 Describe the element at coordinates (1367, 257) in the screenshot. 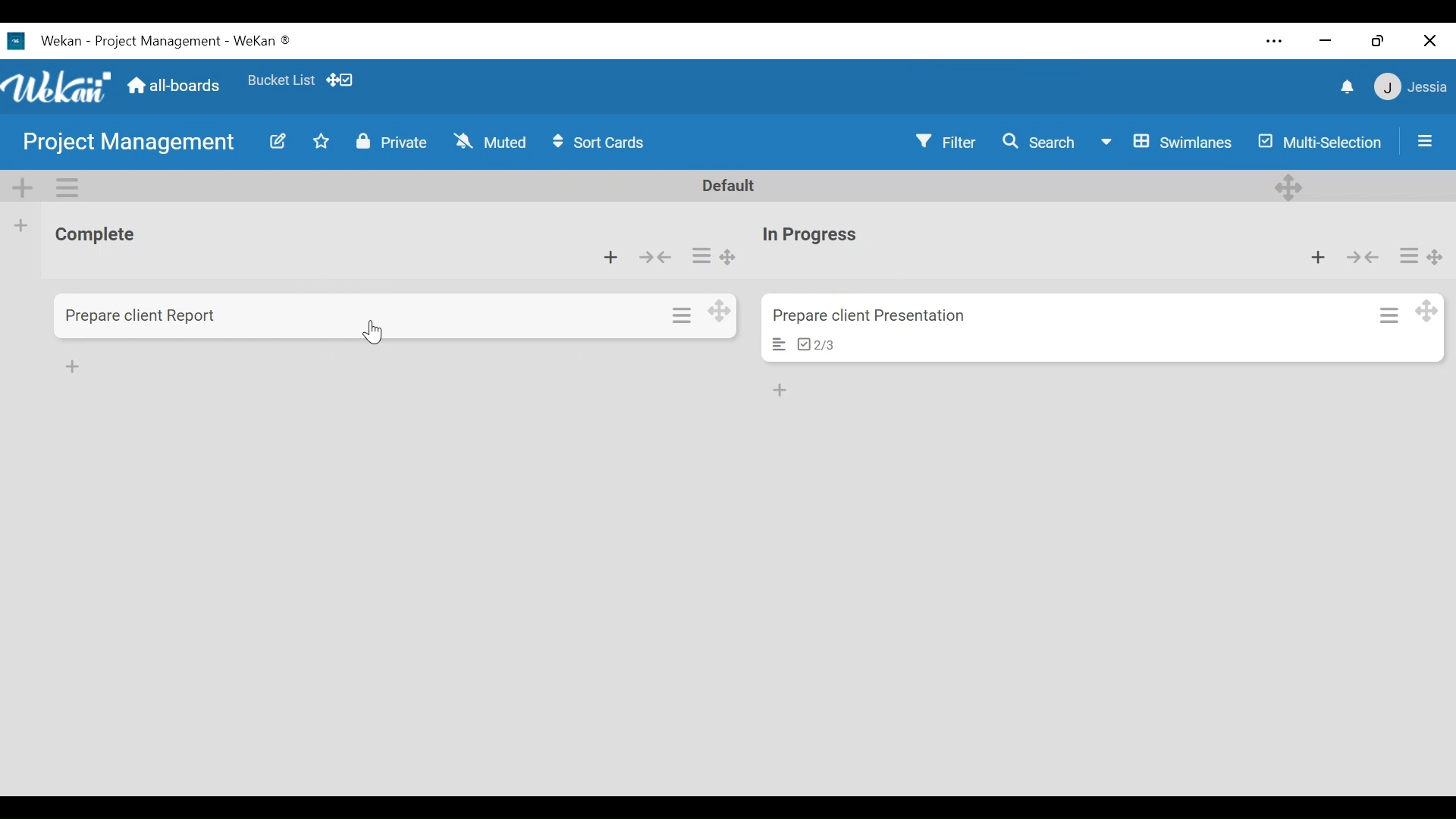

I see `Collapse` at that location.